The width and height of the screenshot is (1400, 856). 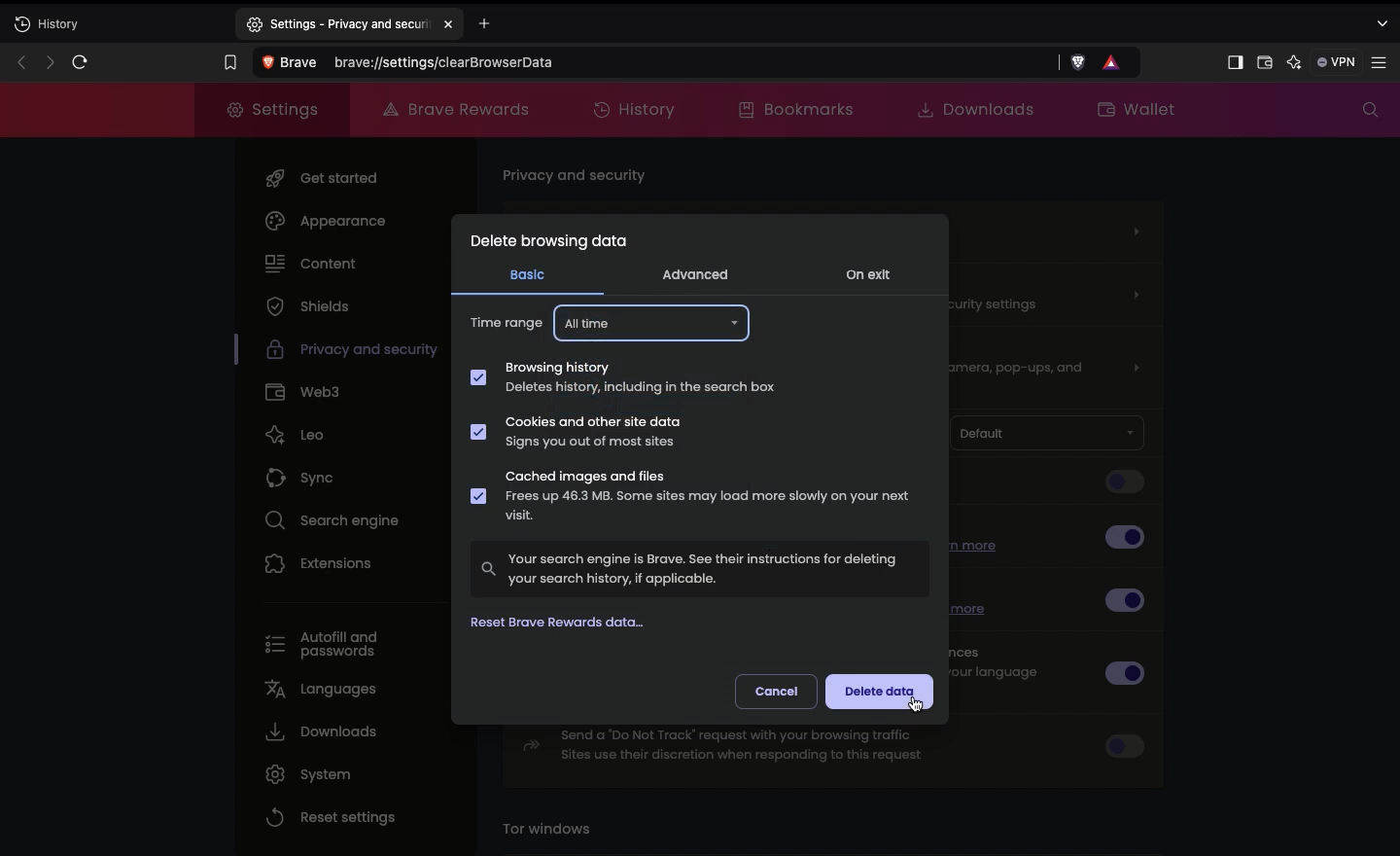 What do you see at coordinates (1382, 62) in the screenshot?
I see `Settings` at bounding box center [1382, 62].